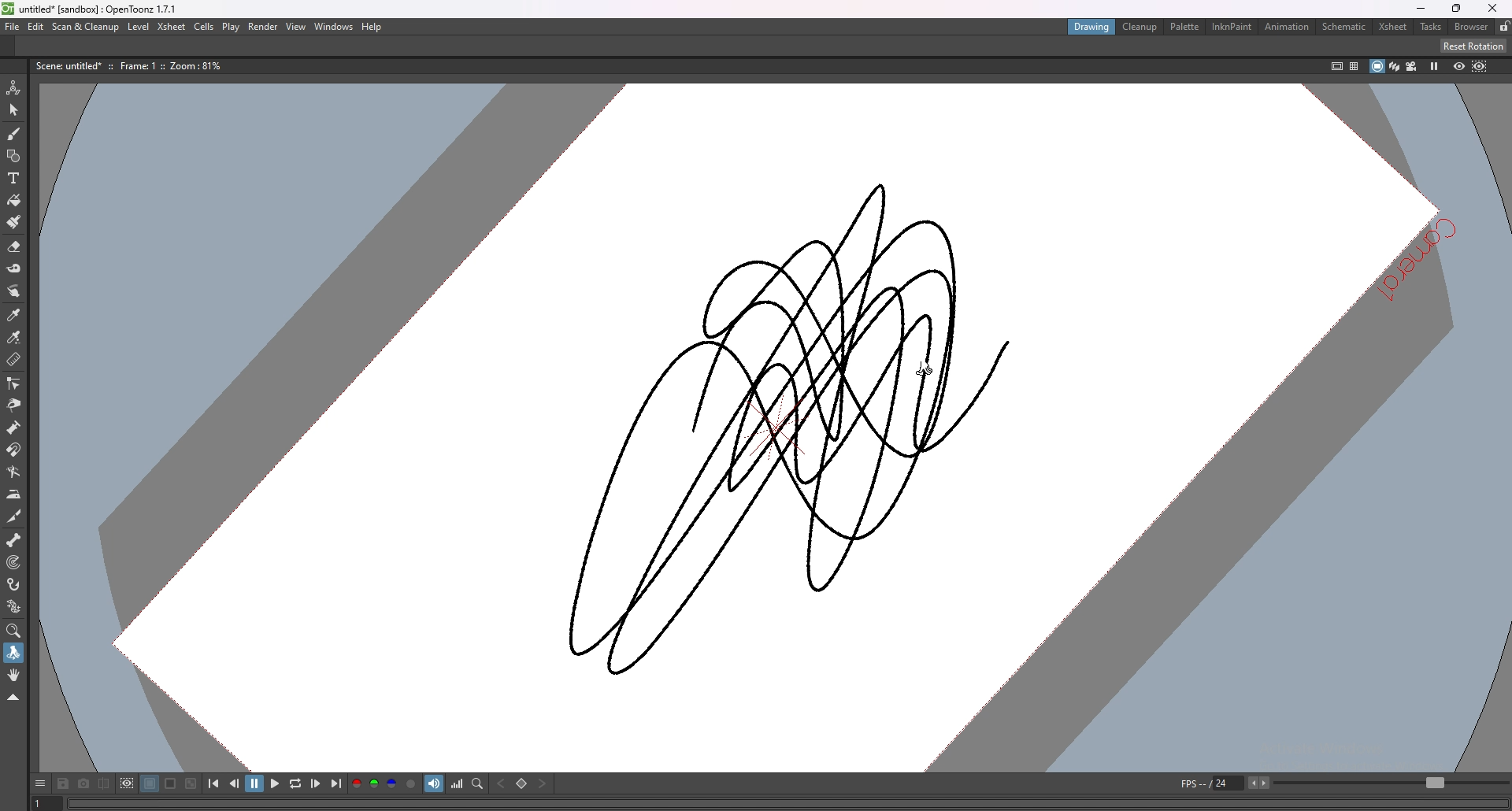 This screenshot has height=811, width=1512. I want to click on green channel, so click(375, 783).